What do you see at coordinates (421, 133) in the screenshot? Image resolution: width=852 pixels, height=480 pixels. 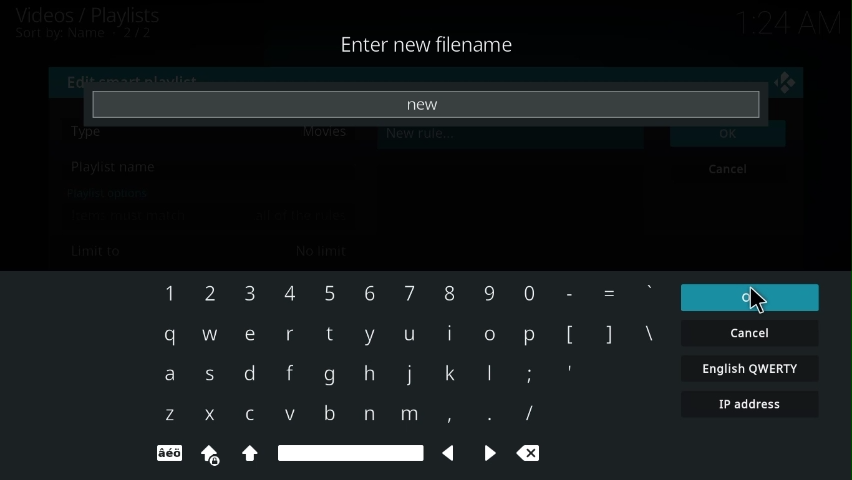 I see `new rule` at bounding box center [421, 133].